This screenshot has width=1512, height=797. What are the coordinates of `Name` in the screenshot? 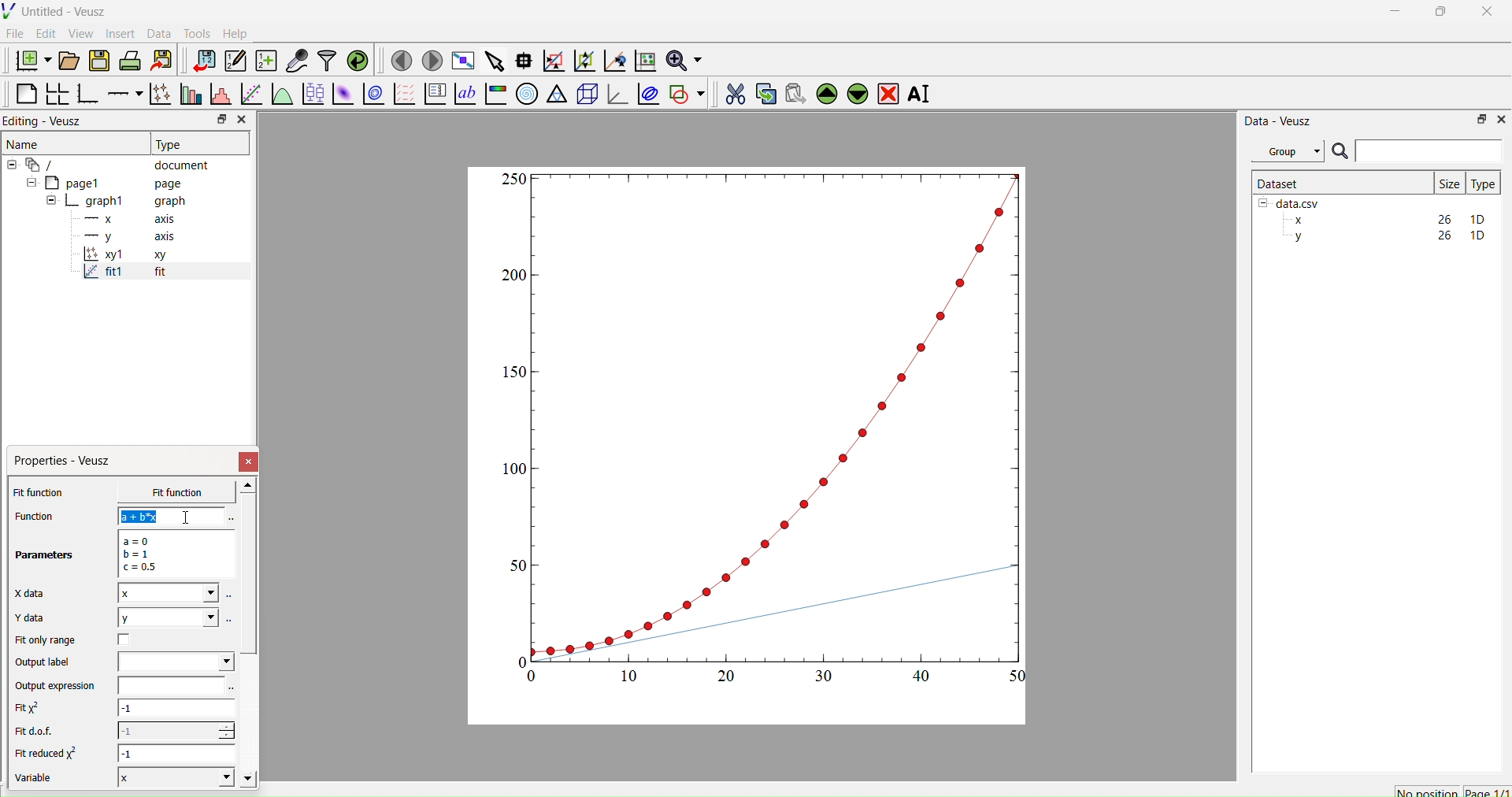 It's located at (24, 143).